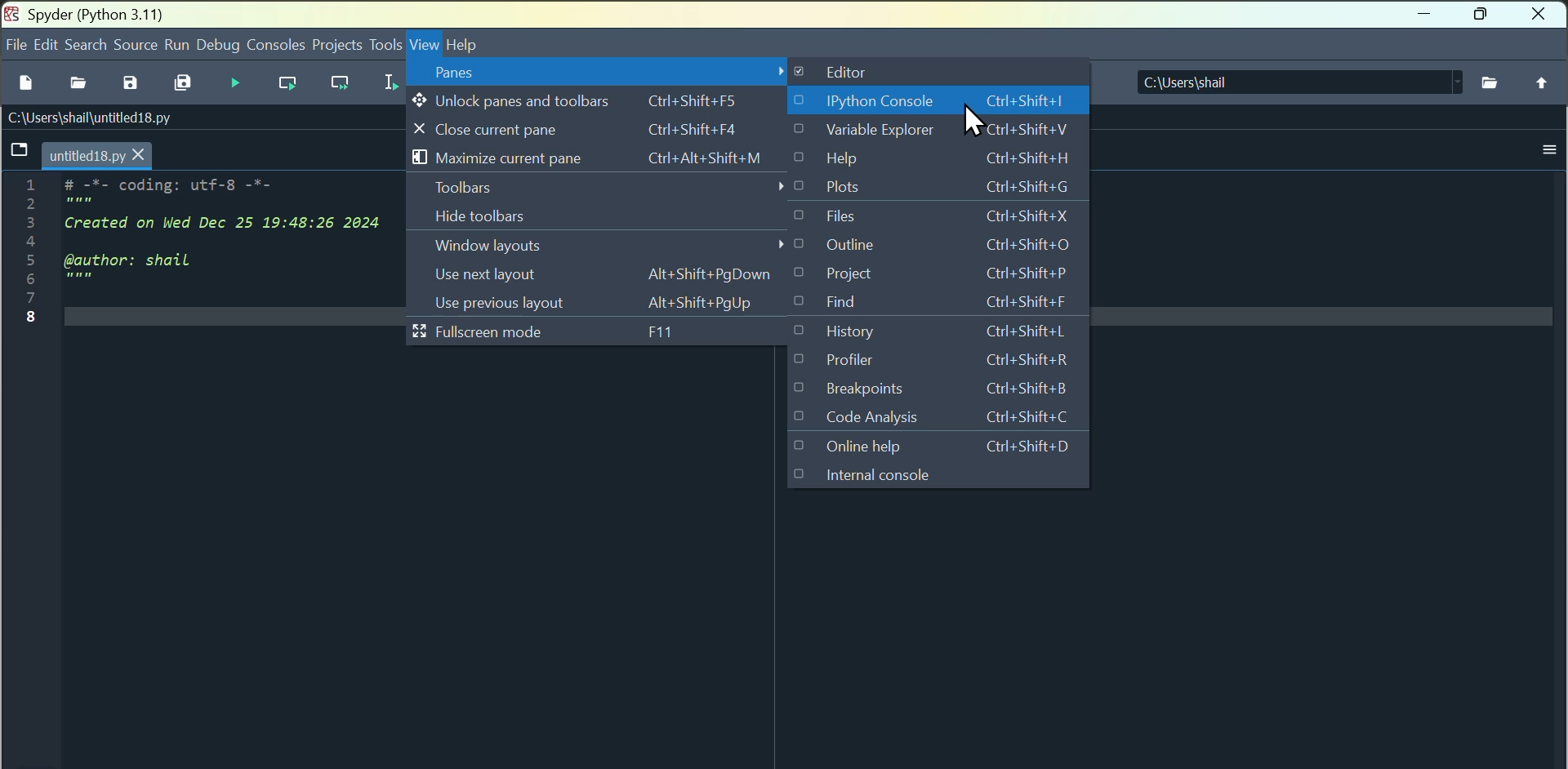 The image size is (1568, 769). Describe the element at coordinates (940, 304) in the screenshot. I see `Find` at that location.